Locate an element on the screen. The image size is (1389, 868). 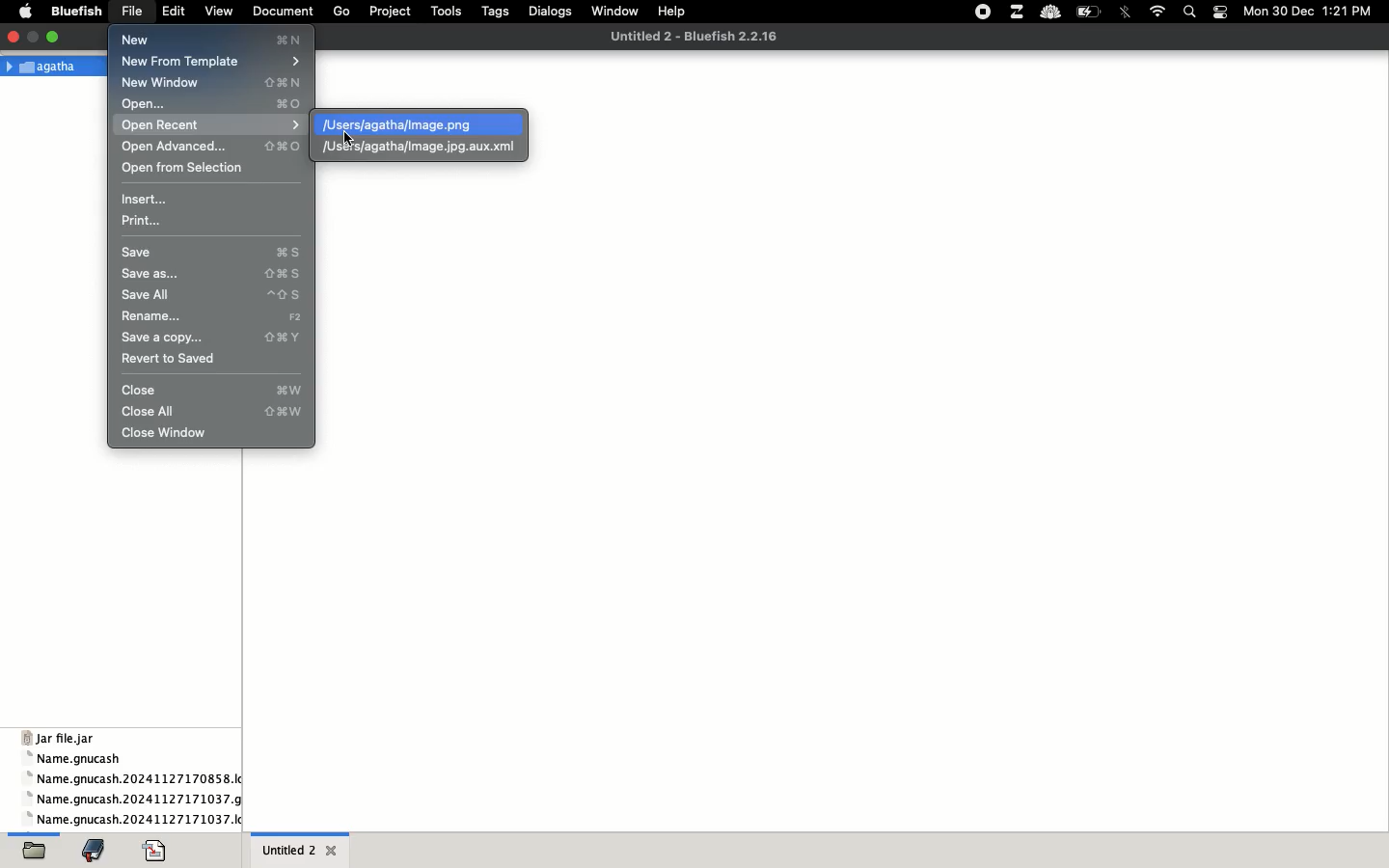
apple is located at coordinates (24, 12).